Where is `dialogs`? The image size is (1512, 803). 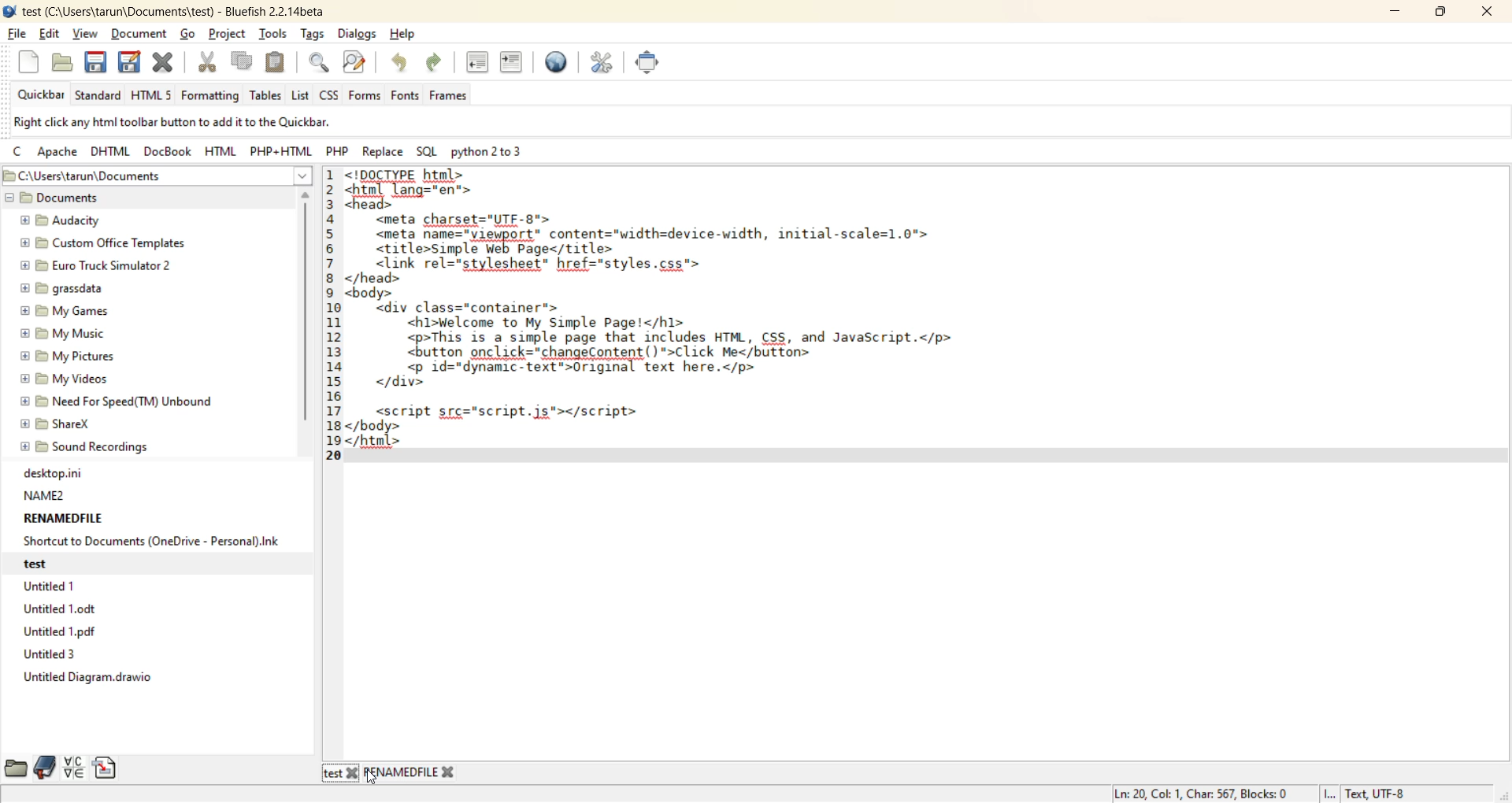 dialogs is located at coordinates (361, 35).